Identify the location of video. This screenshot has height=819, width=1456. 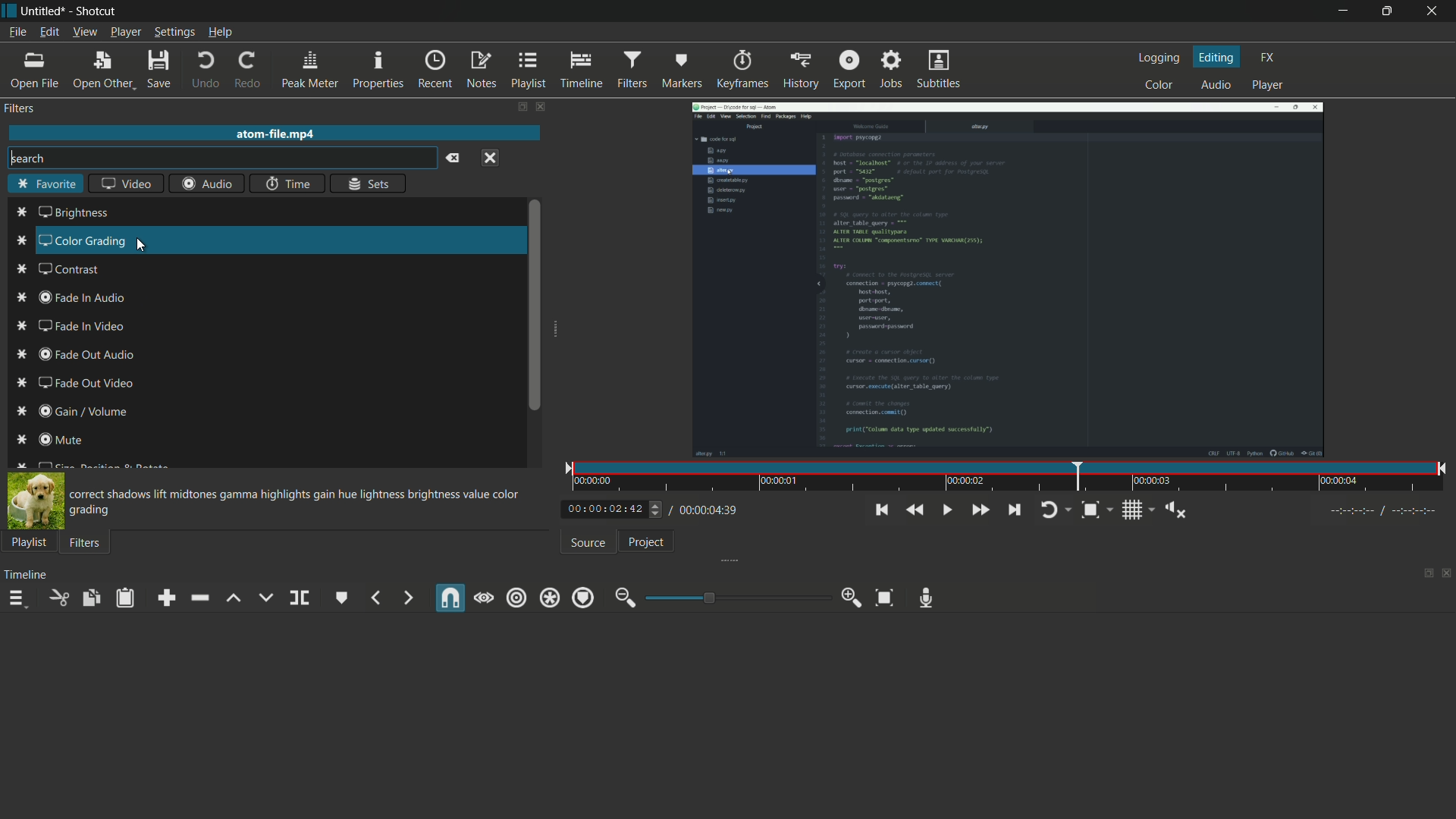
(128, 184).